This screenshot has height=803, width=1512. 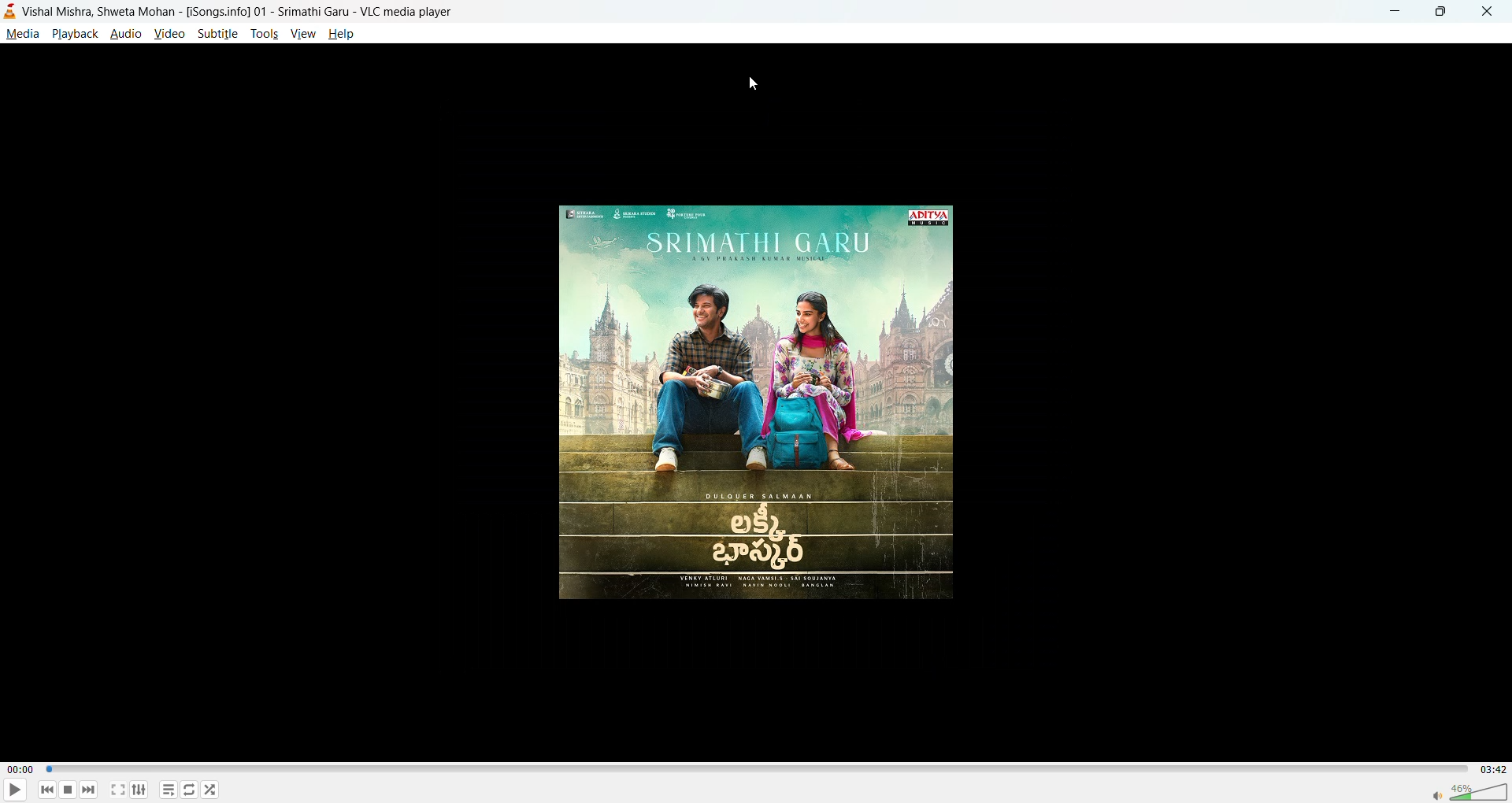 What do you see at coordinates (344, 35) in the screenshot?
I see `help` at bounding box center [344, 35].